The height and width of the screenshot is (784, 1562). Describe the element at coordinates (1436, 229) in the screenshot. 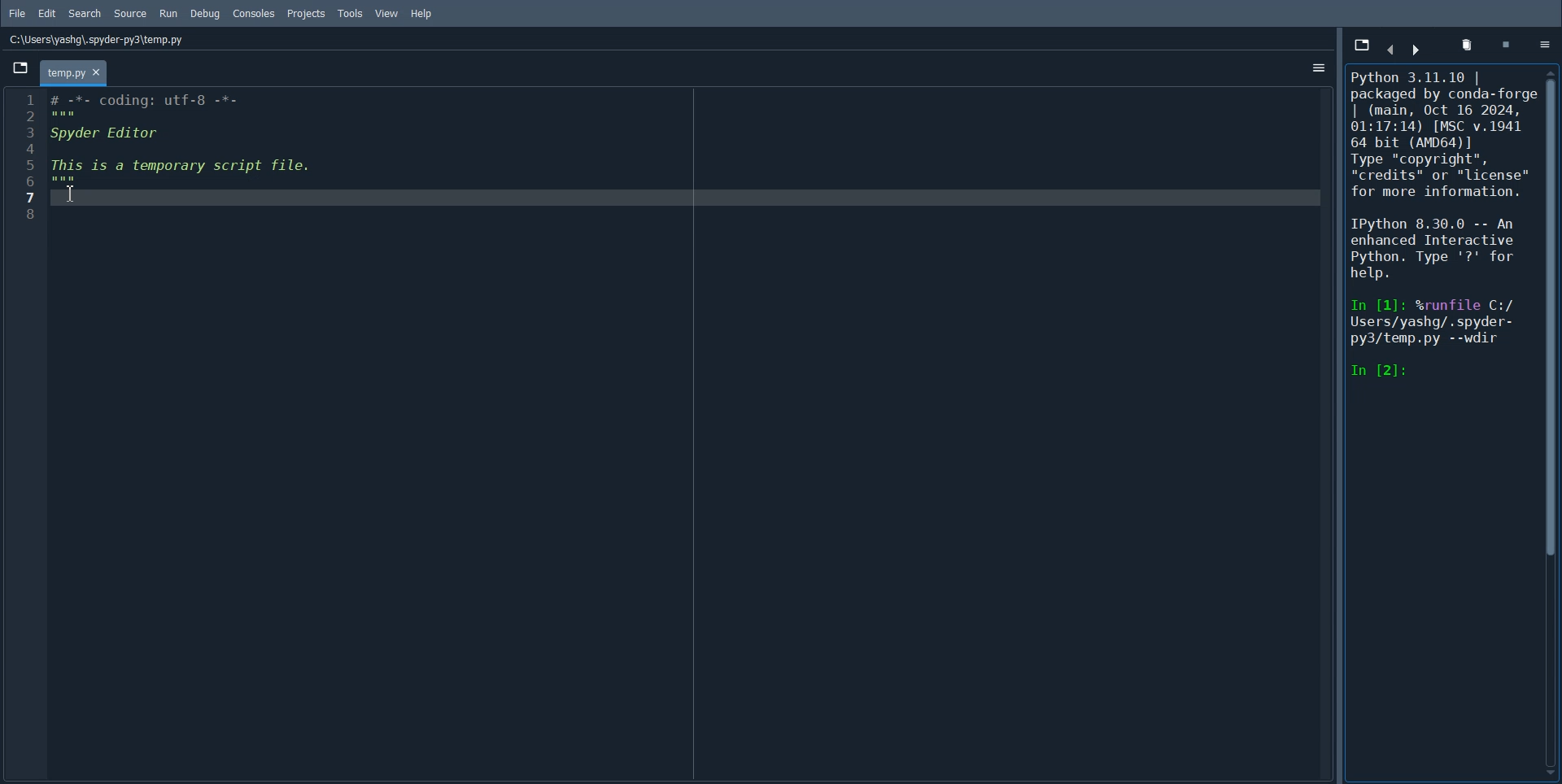

I see `Python 3.11.10 |
packaged by conda-forg
| (main, Oct 16 2024,
01:17:14) [MSC v.1941
64 bit (AMD64)]

Type "copyright",
“credits” or "license"
for more information.
IPython 8.30.0 -- An
enhanced Interactive
Python. Type '?' for
help.

In [1]: %runfile C:/
Users/yashg/. spyder-
py3/temp.py --wdir

In [2]:` at that location.